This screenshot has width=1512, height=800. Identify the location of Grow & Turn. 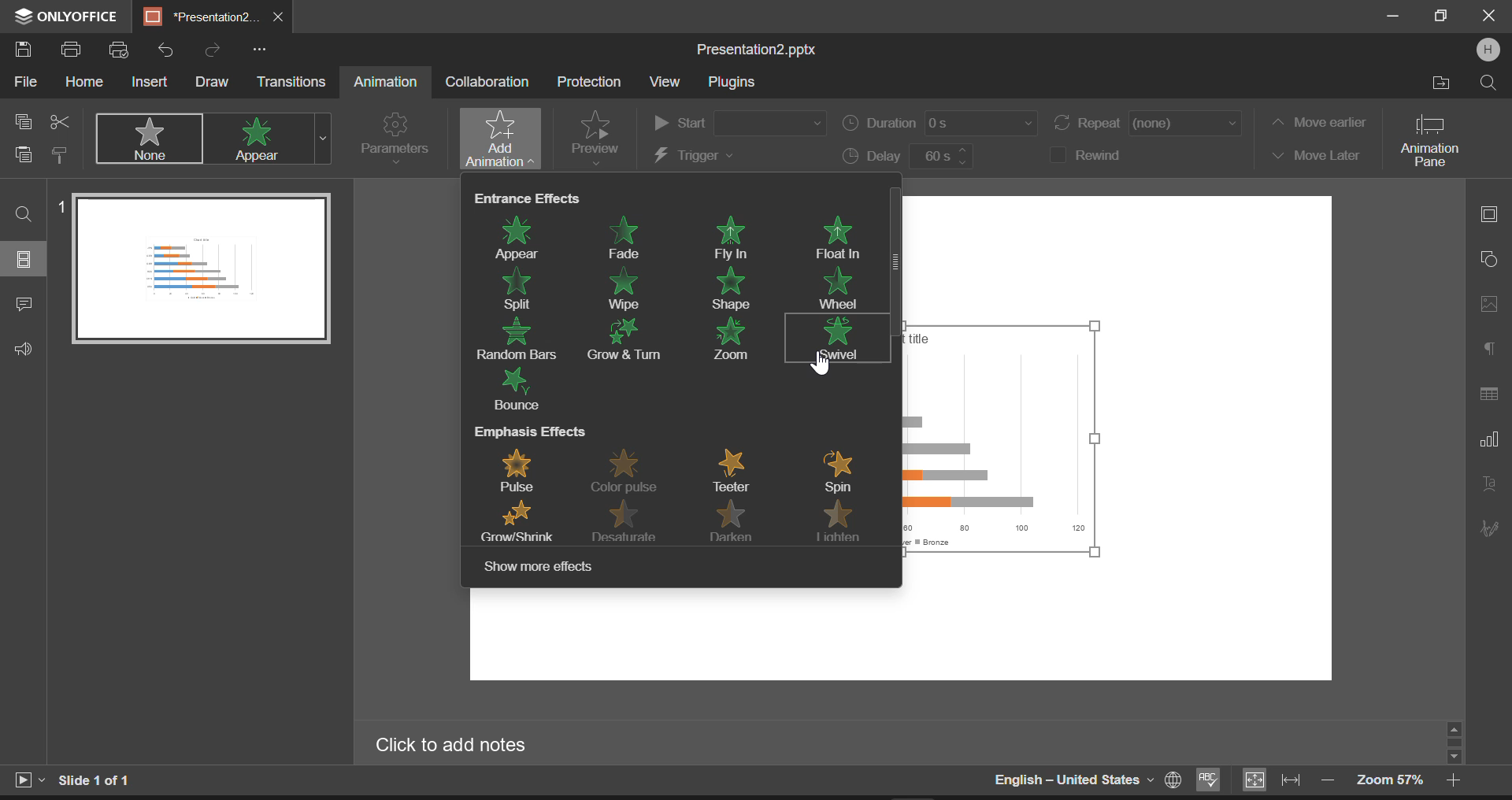
(632, 339).